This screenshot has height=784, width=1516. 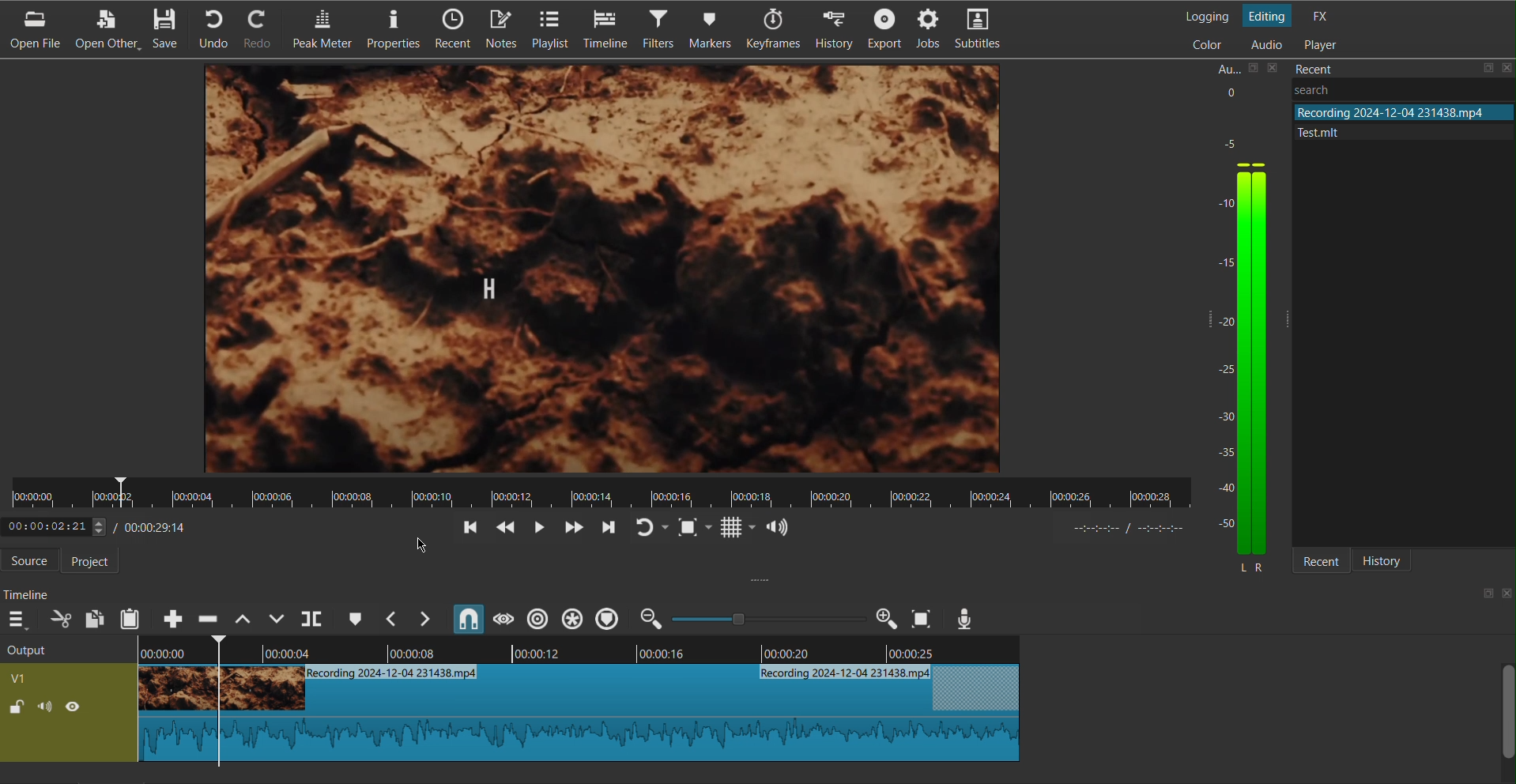 What do you see at coordinates (242, 617) in the screenshot?
I see `Lift` at bounding box center [242, 617].